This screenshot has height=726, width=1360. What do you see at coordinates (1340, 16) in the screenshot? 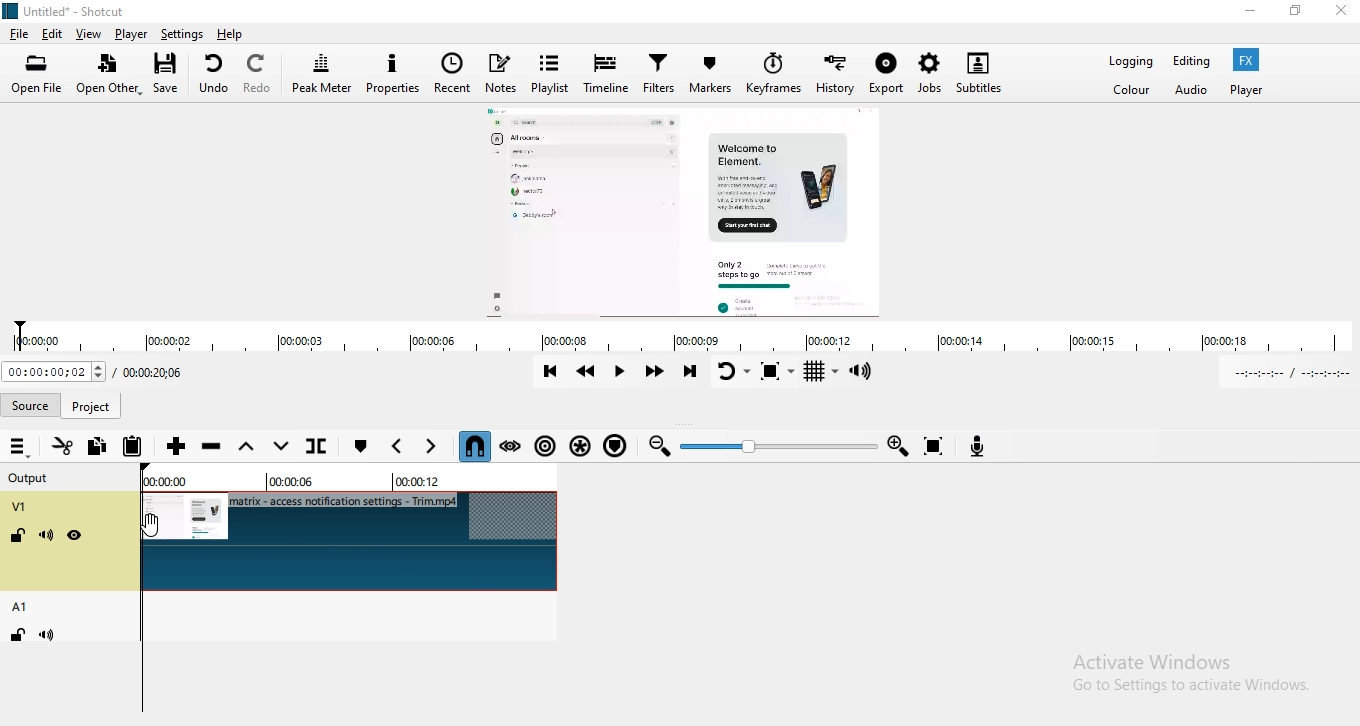
I see `Close ` at bounding box center [1340, 16].